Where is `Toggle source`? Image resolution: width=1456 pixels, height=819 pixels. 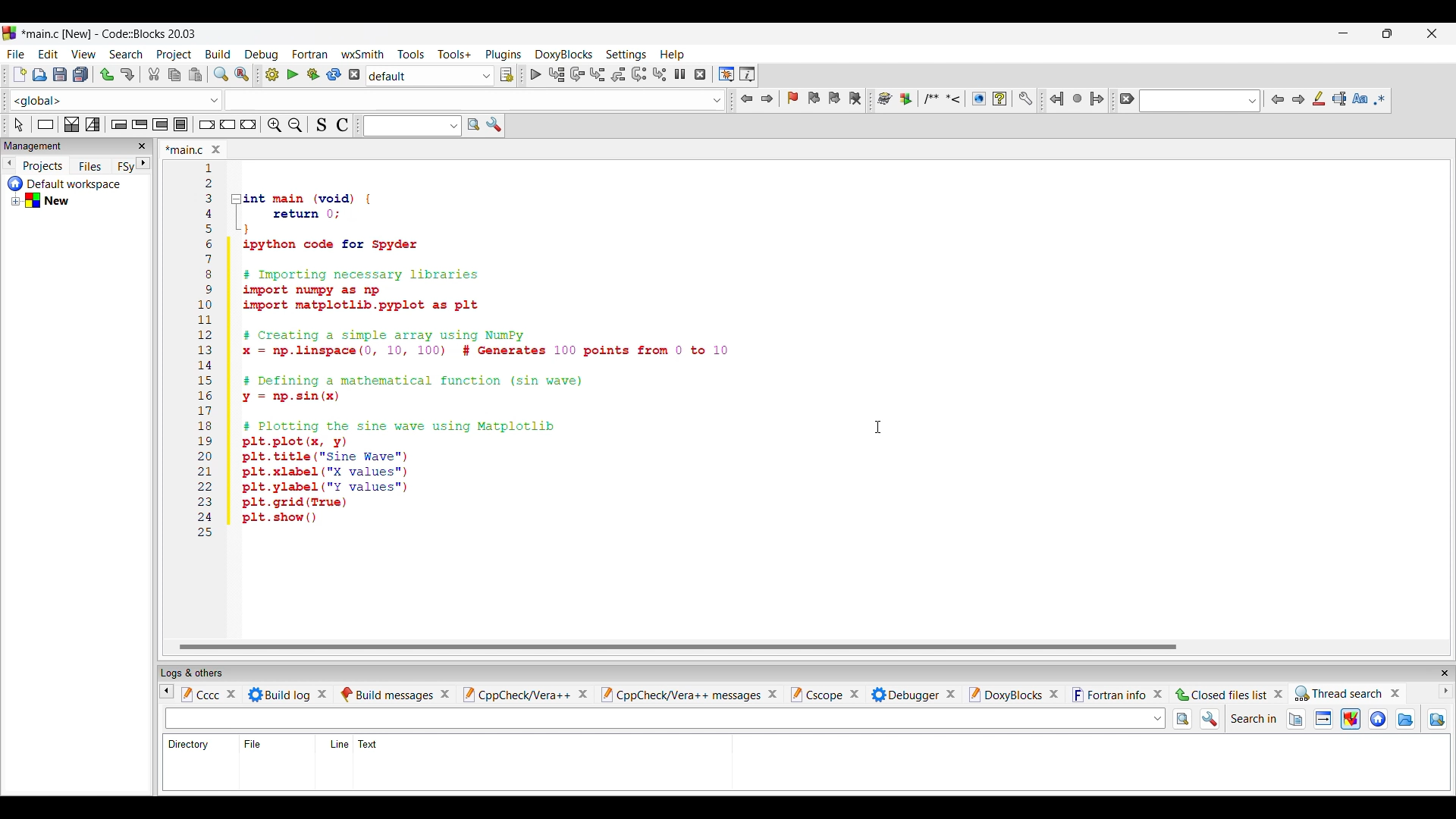
Toggle source is located at coordinates (321, 127).